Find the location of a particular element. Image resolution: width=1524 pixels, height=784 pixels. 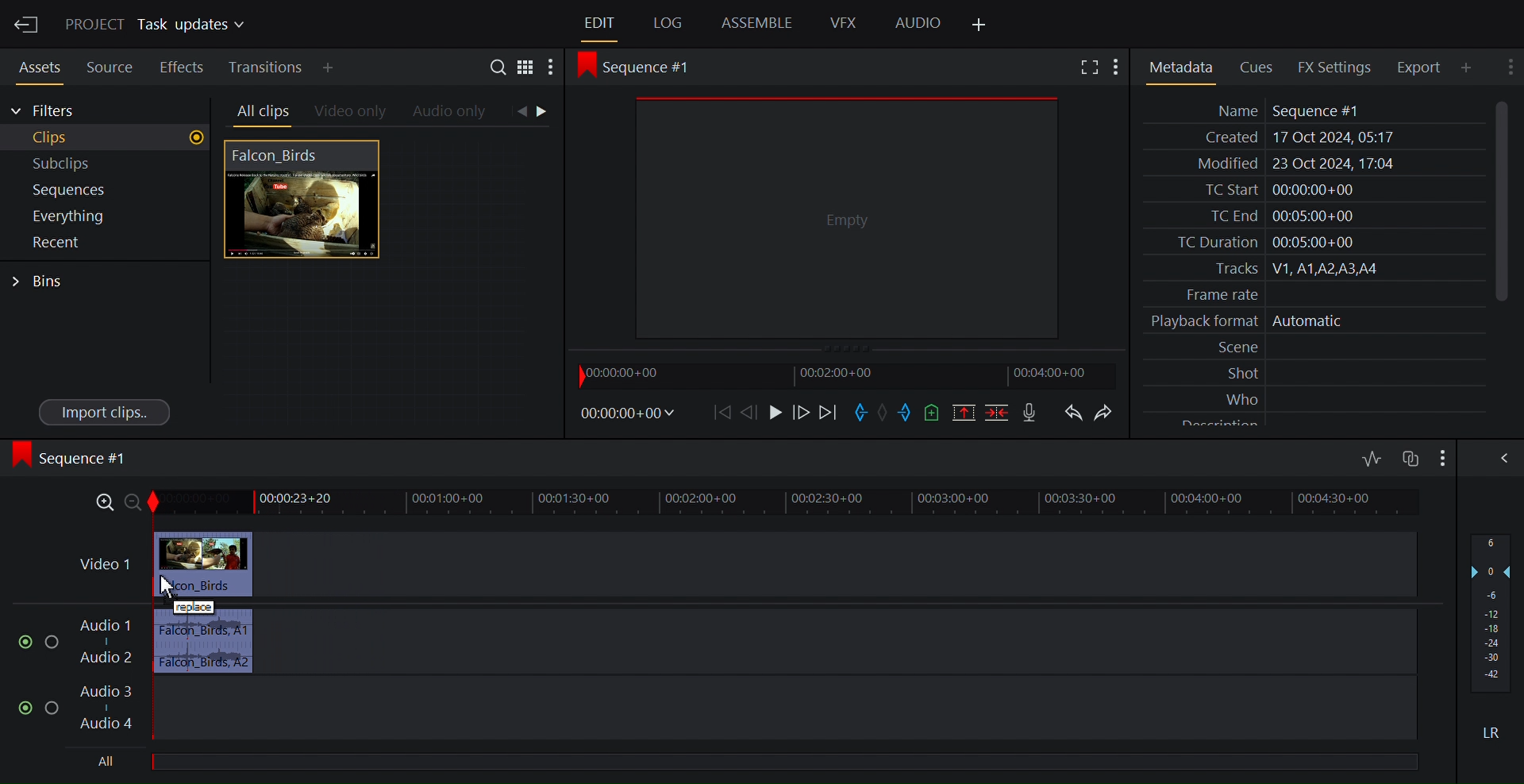

Shot is located at coordinates (1315, 372).